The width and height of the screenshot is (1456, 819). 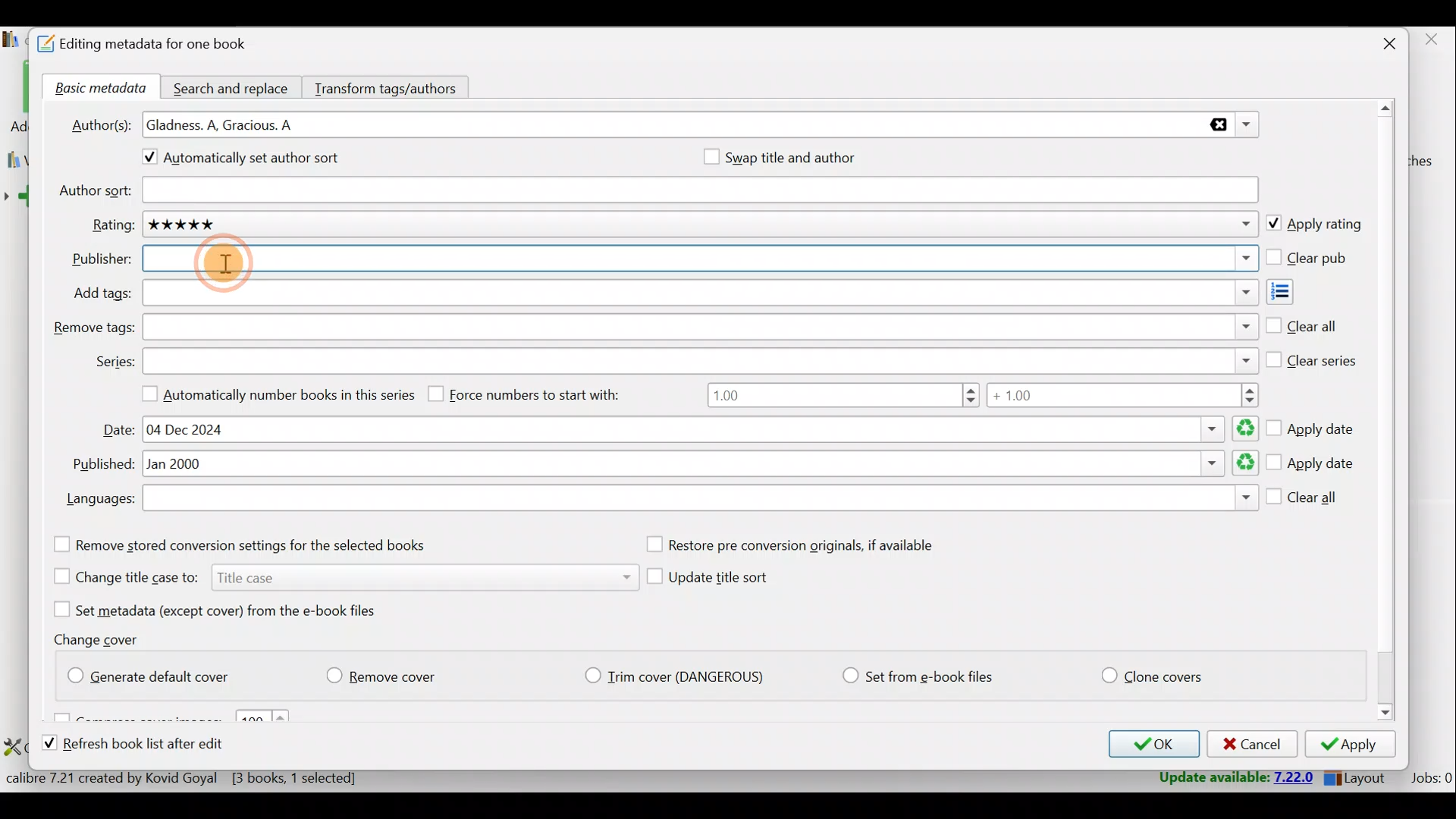 I want to click on Languages, so click(x=700, y=500).